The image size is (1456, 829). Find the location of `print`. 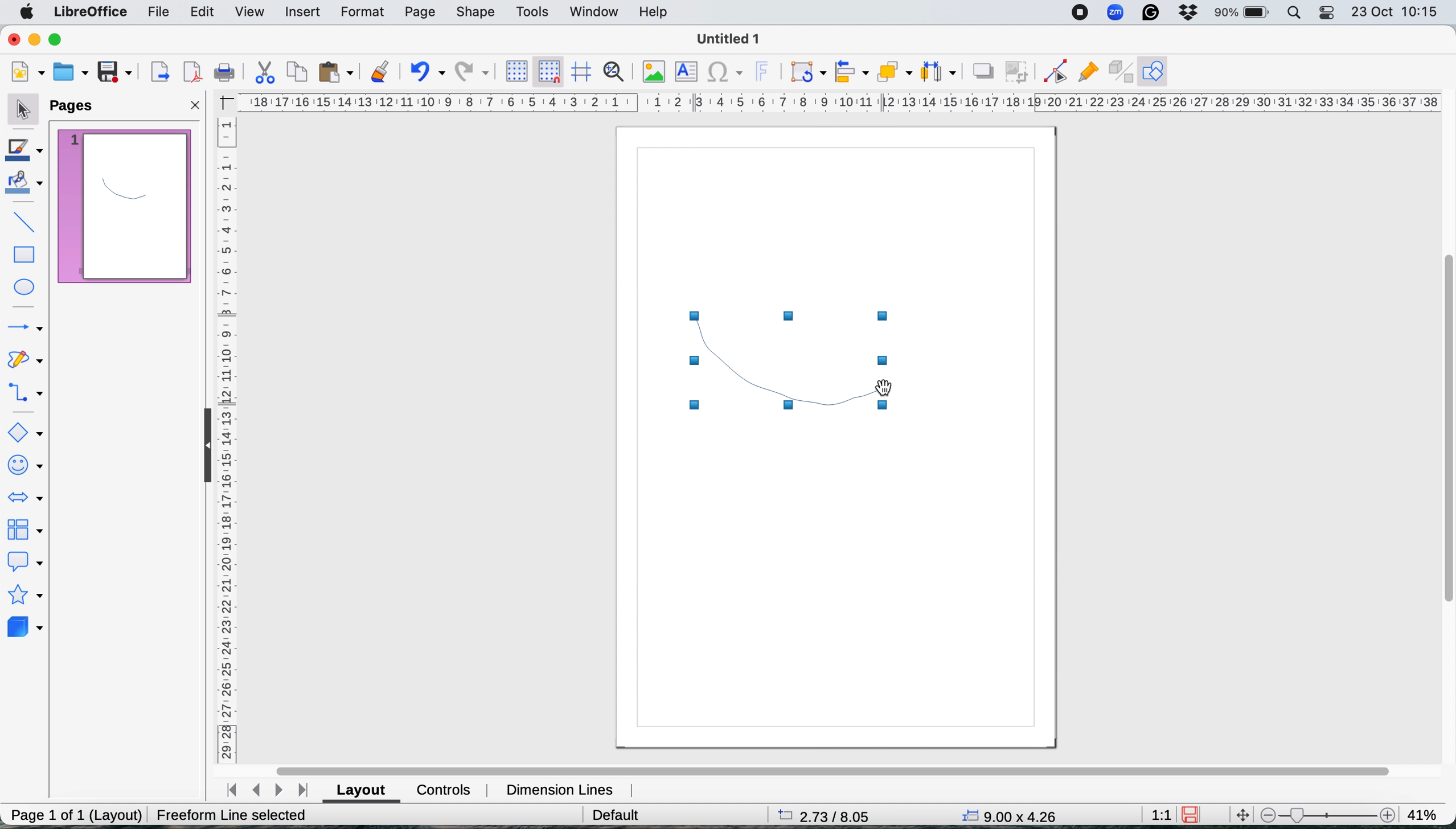

print is located at coordinates (225, 72).